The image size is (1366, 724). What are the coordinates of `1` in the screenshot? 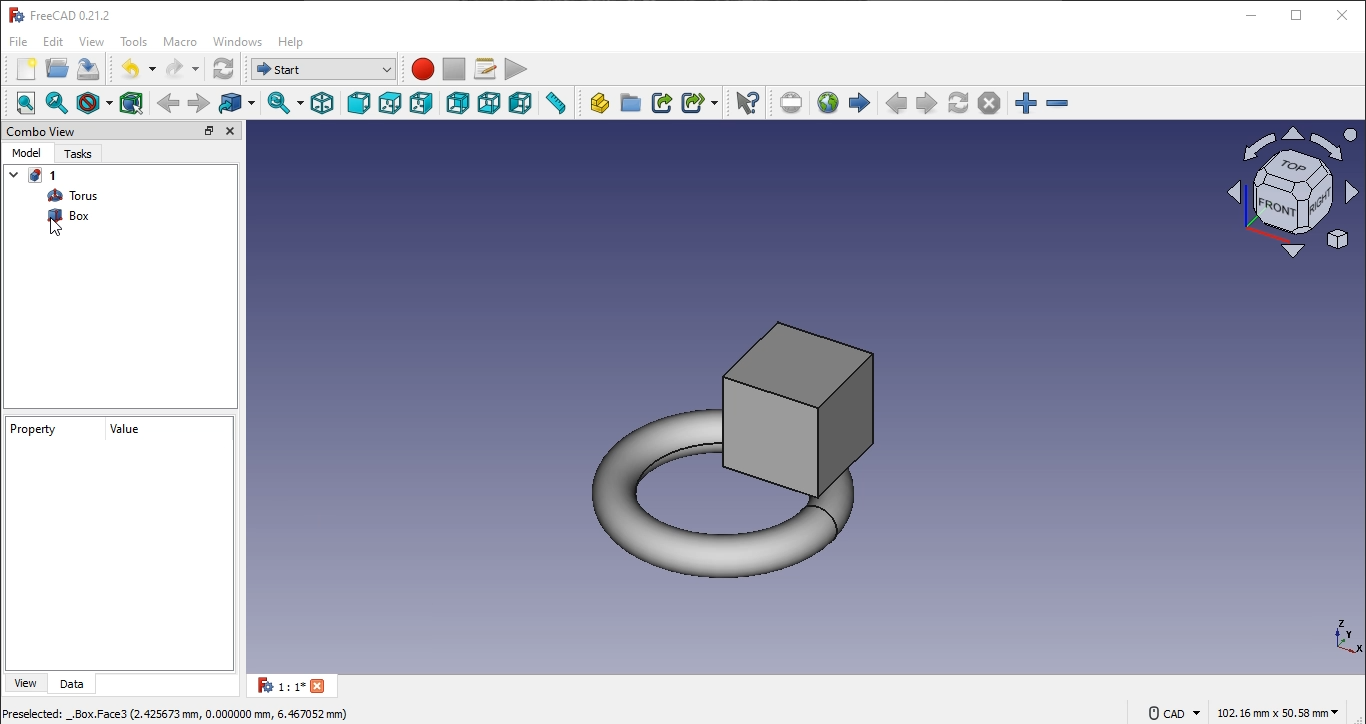 It's located at (298, 687).